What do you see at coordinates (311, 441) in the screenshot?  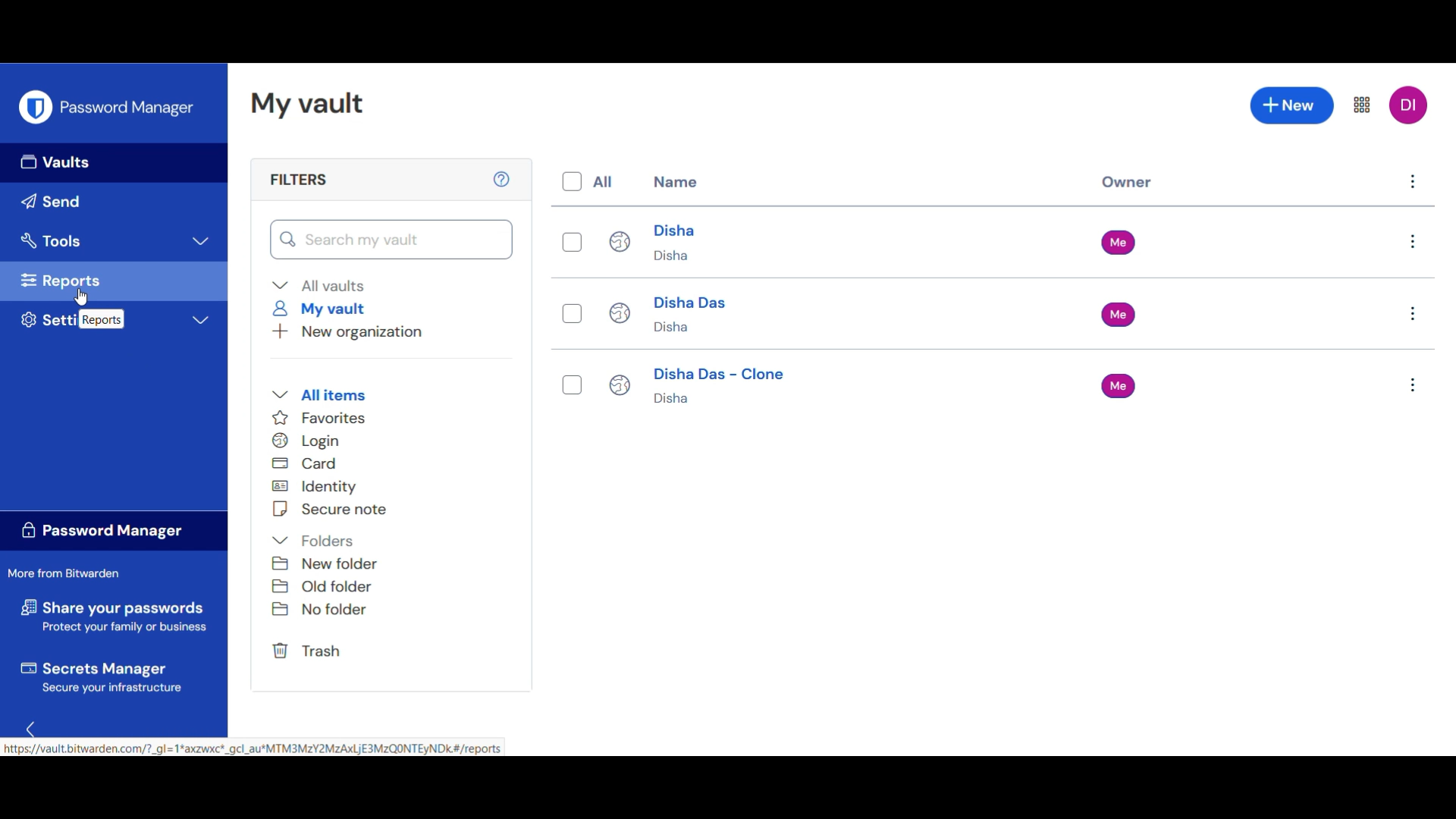 I see `Login` at bounding box center [311, 441].